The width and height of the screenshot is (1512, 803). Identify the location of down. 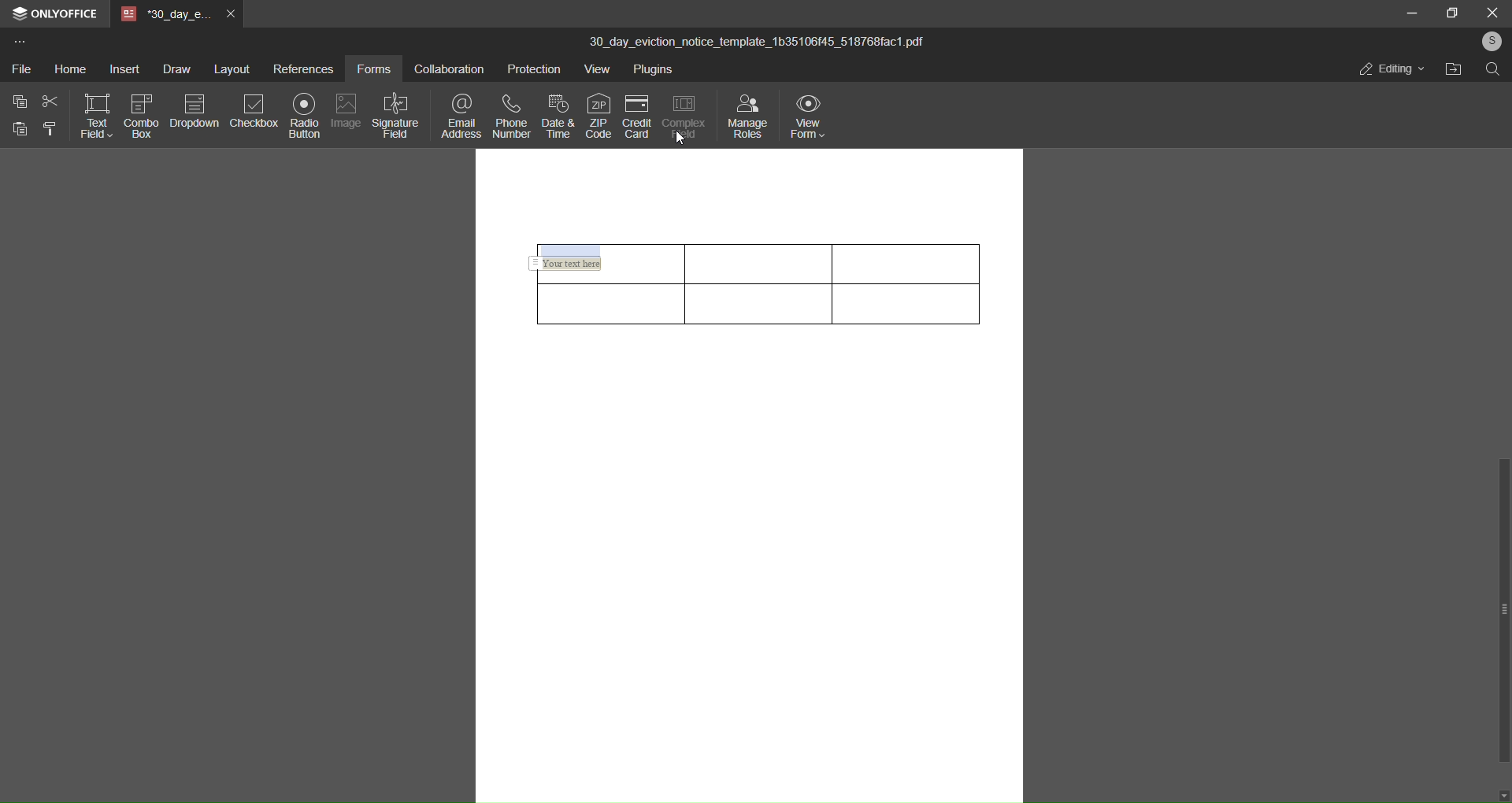
(1503, 794).